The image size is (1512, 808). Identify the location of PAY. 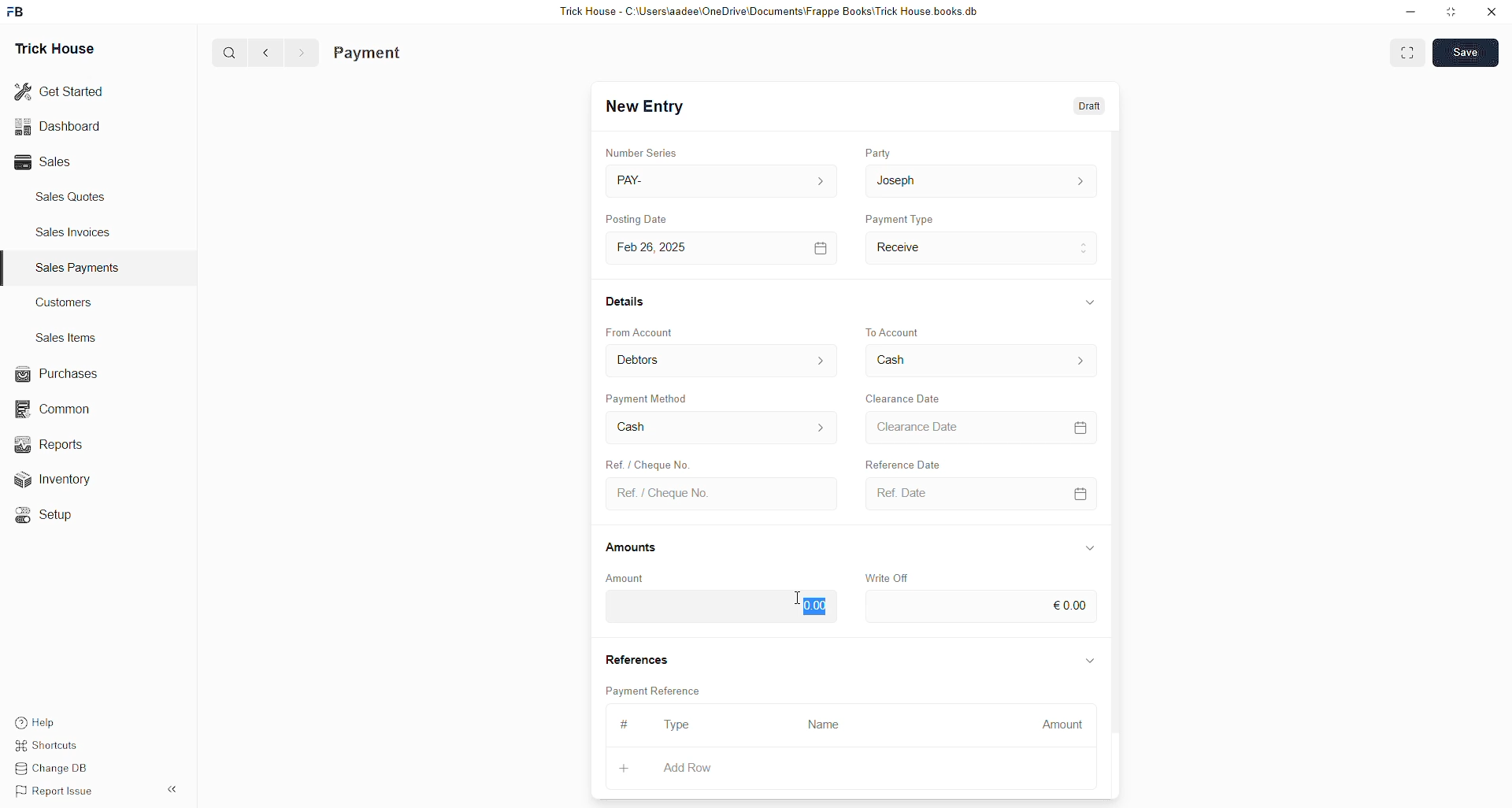
(724, 180).